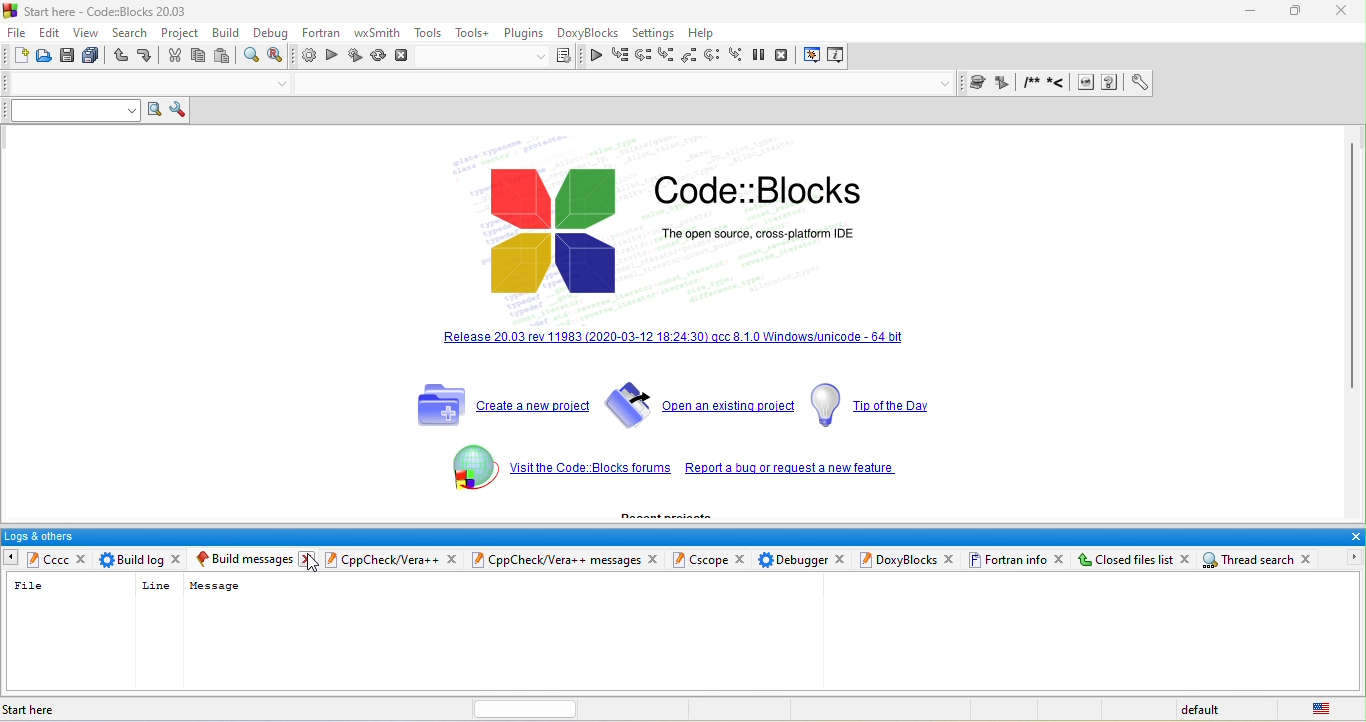 This screenshot has width=1366, height=722. Describe the element at coordinates (803, 633) in the screenshot. I see `open tab` at that location.